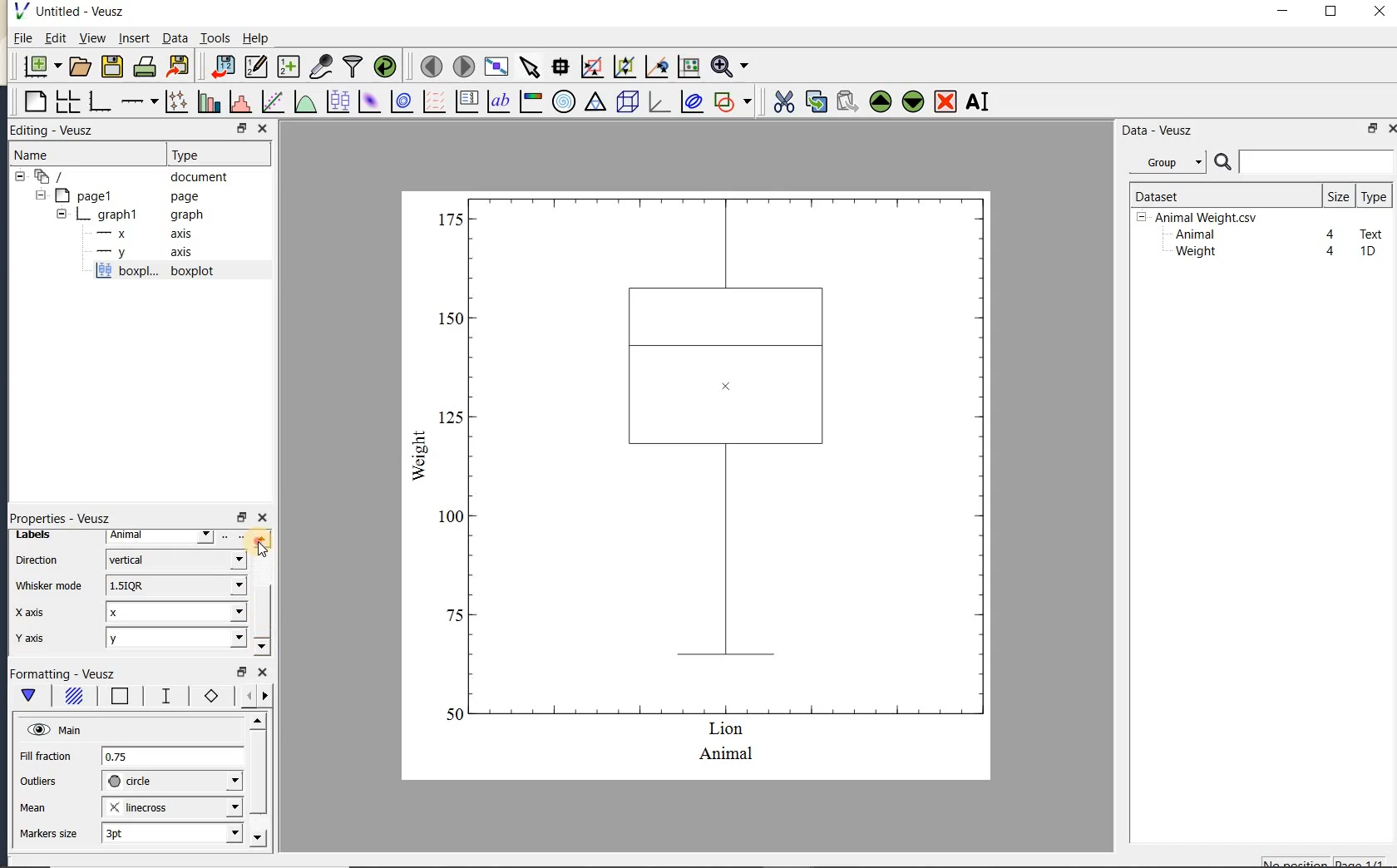 The height and width of the screenshot is (868, 1397). What do you see at coordinates (175, 584) in the screenshot?
I see `1.5QR` at bounding box center [175, 584].